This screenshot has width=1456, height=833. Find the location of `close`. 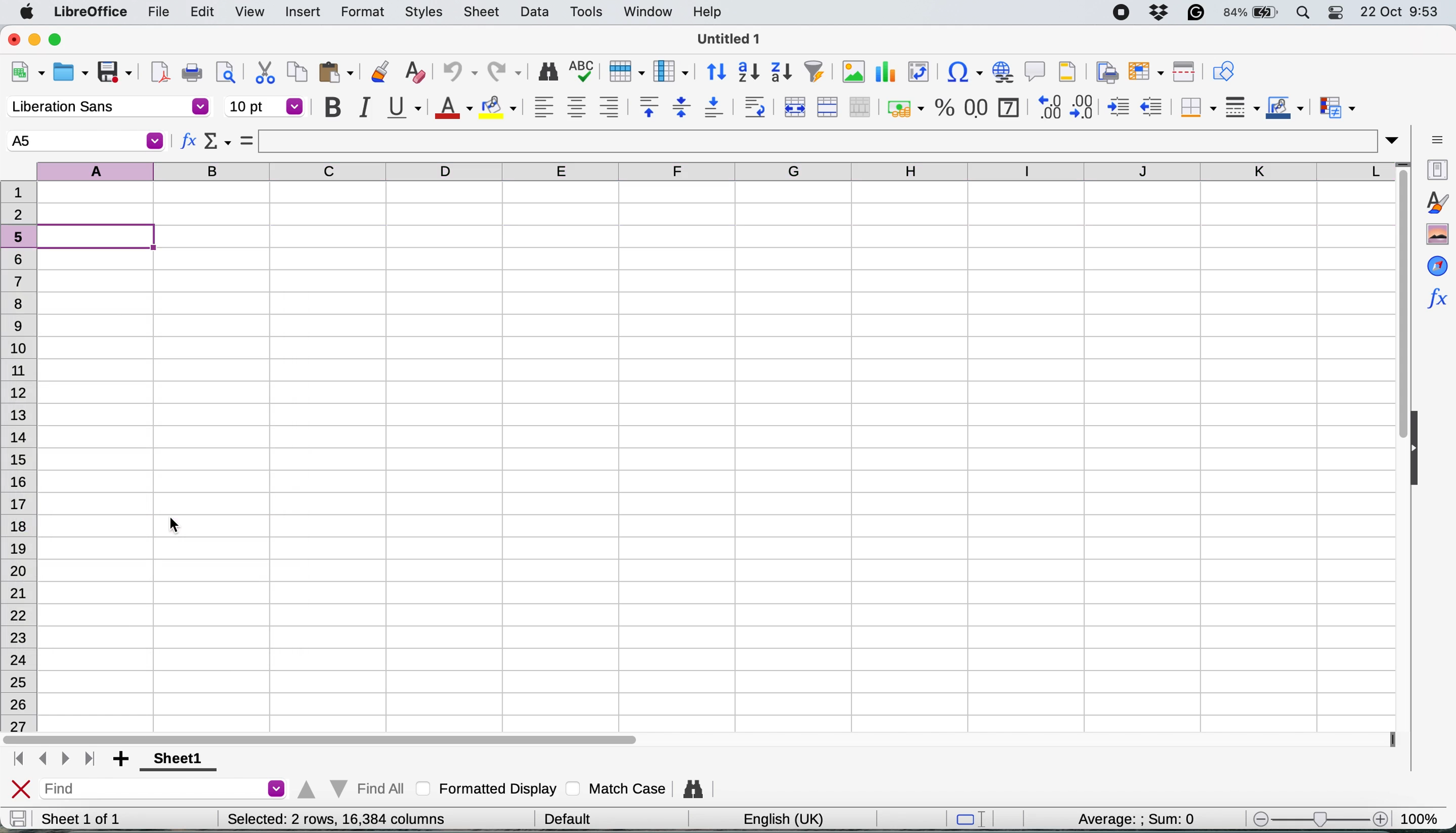

close is located at coordinates (14, 38).